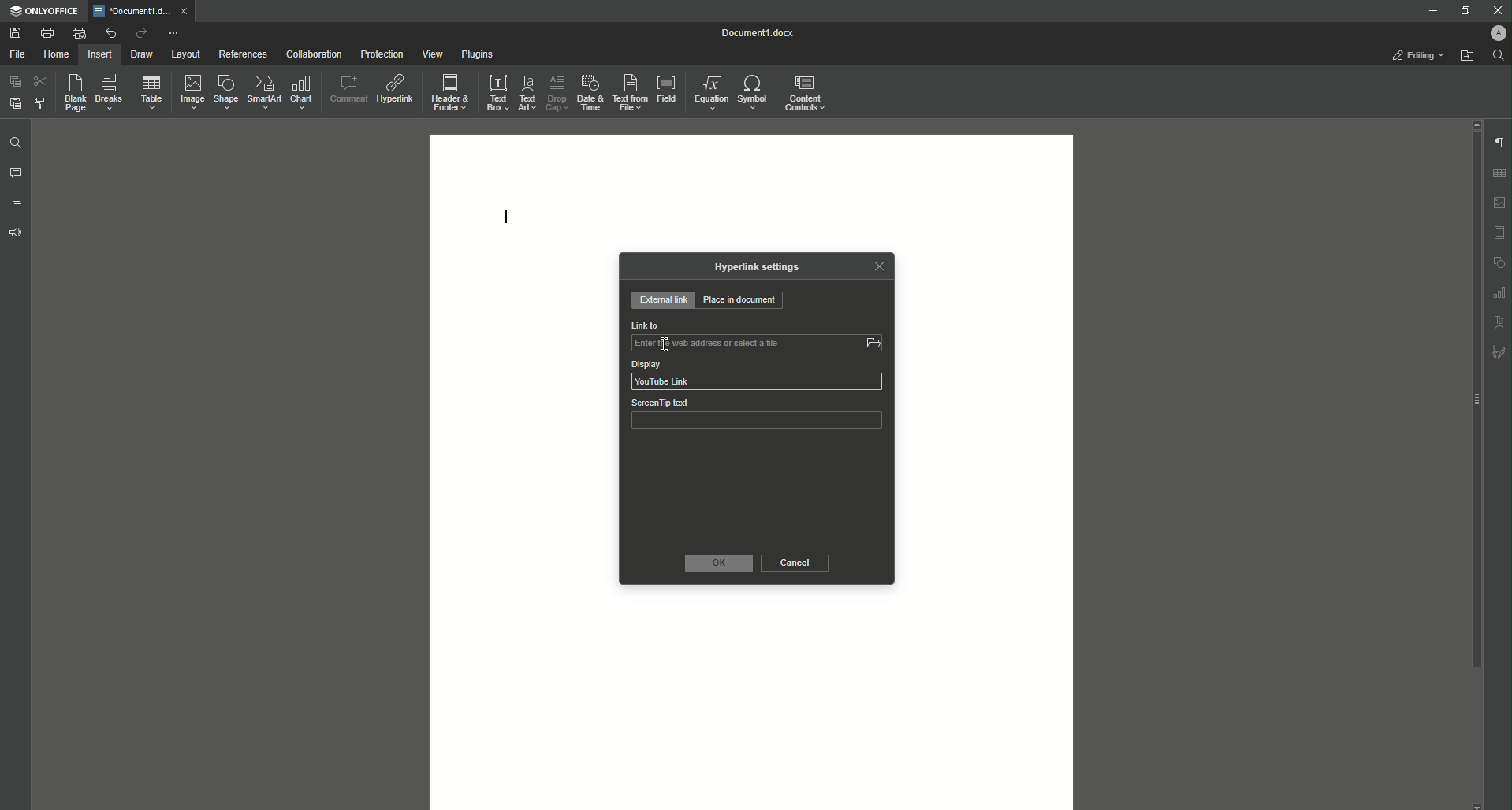 Image resolution: width=1512 pixels, height=810 pixels. Describe the element at coordinates (14, 32) in the screenshot. I see `Save` at that location.